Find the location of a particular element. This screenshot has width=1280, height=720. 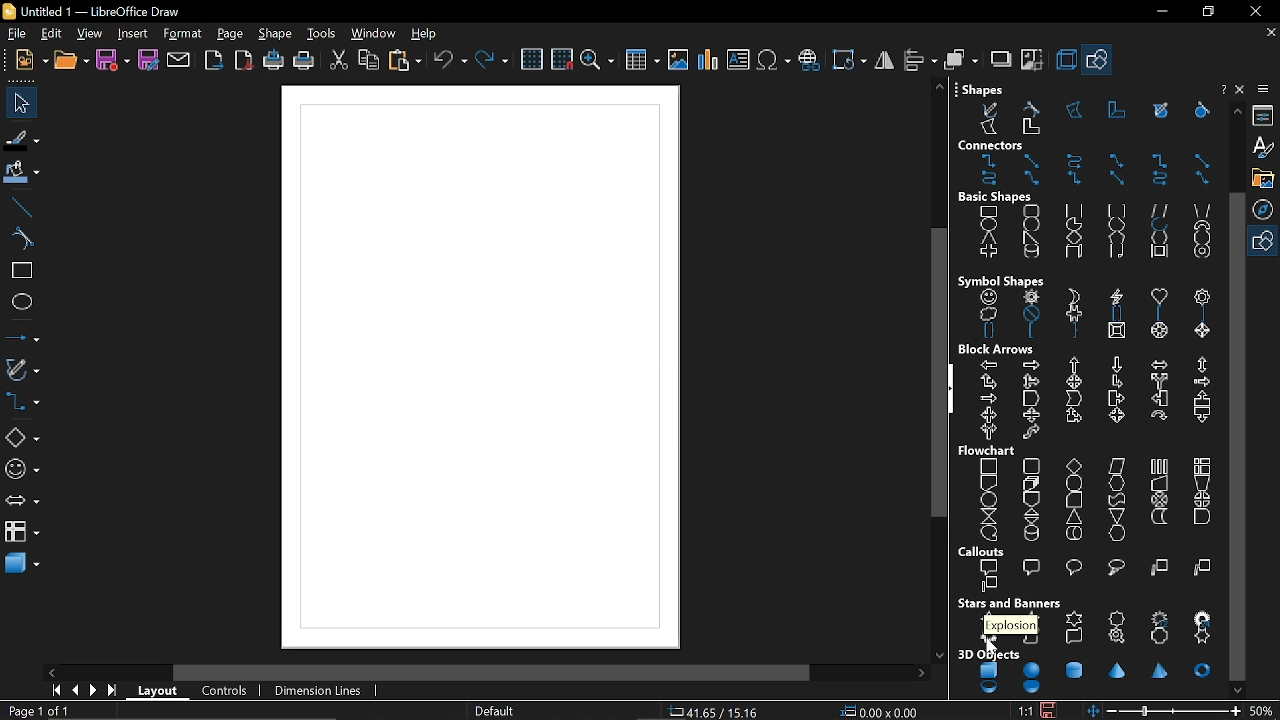

current page (Page 1 of 1) is located at coordinates (37, 711).